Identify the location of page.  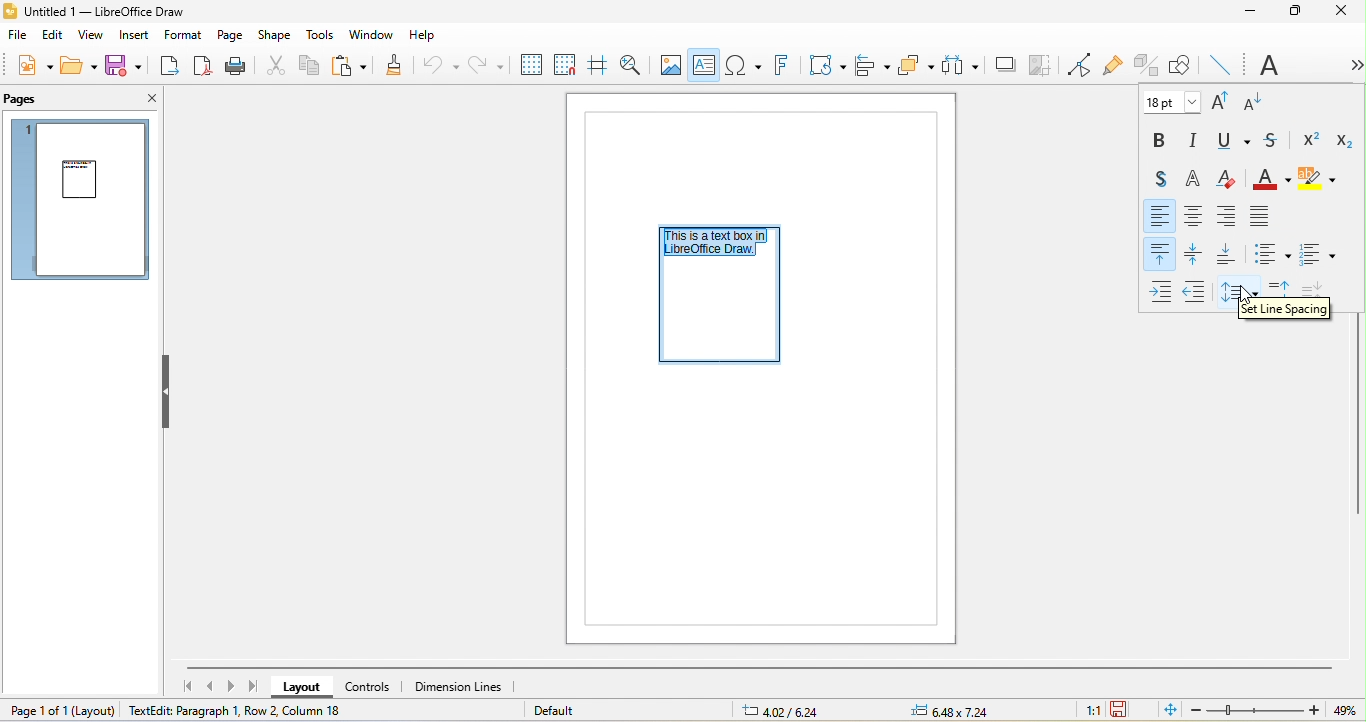
(232, 36).